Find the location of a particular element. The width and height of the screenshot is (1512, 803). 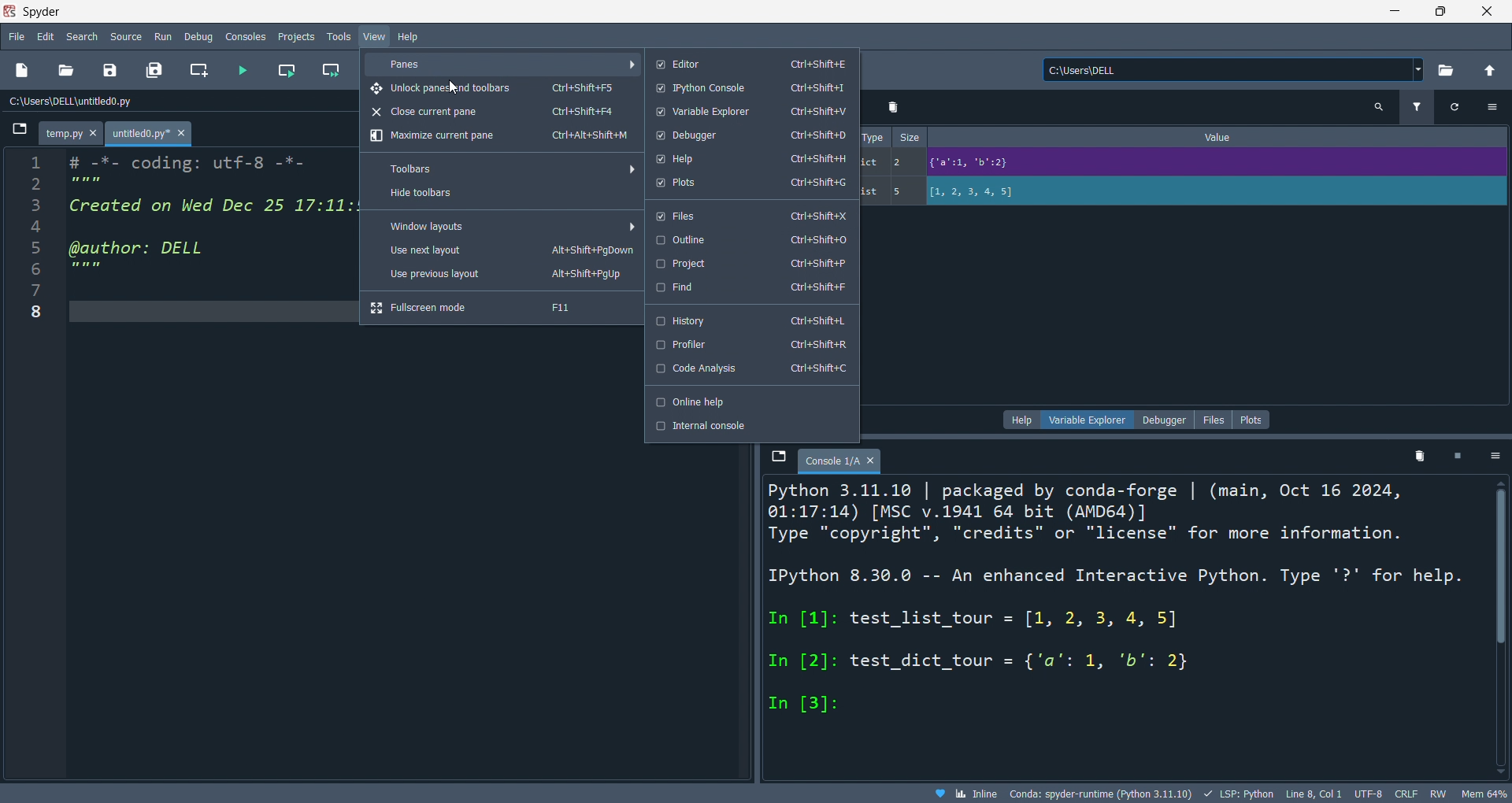

scroll bar is located at coordinates (1499, 625).